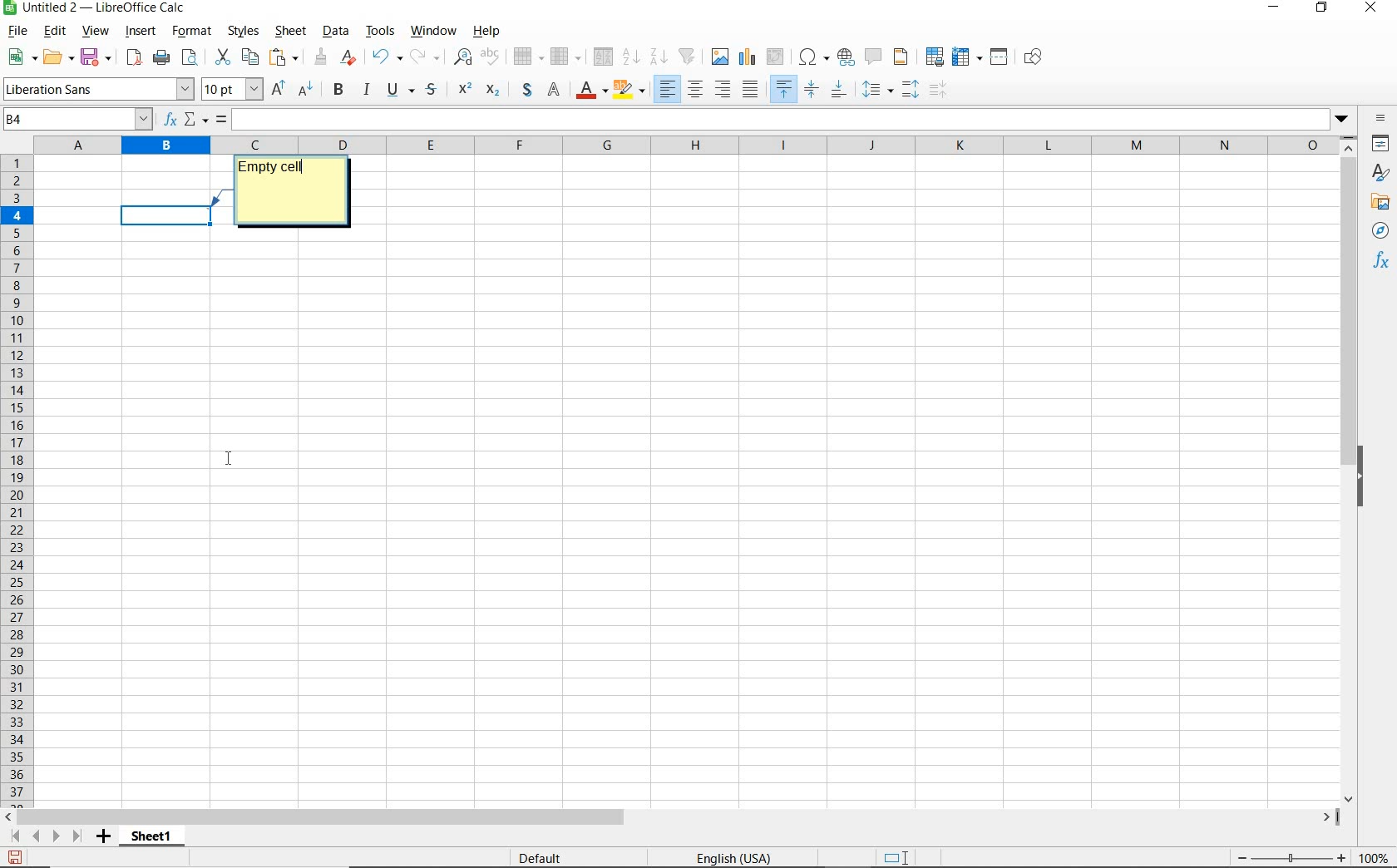  What do you see at coordinates (424, 87) in the screenshot?
I see `symbol styles` at bounding box center [424, 87].